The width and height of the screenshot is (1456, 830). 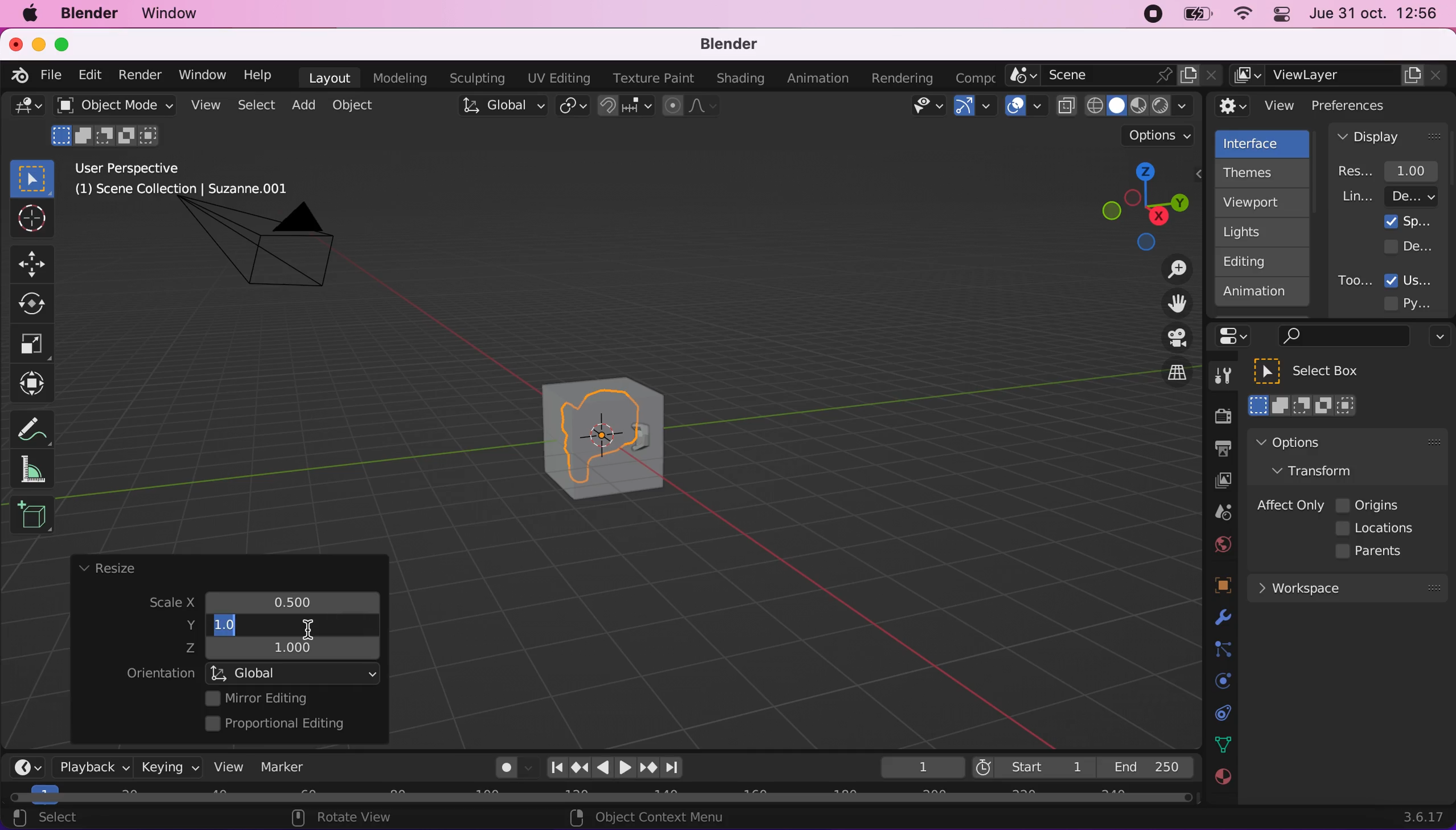 What do you see at coordinates (168, 767) in the screenshot?
I see `keying` at bounding box center [168, 767].